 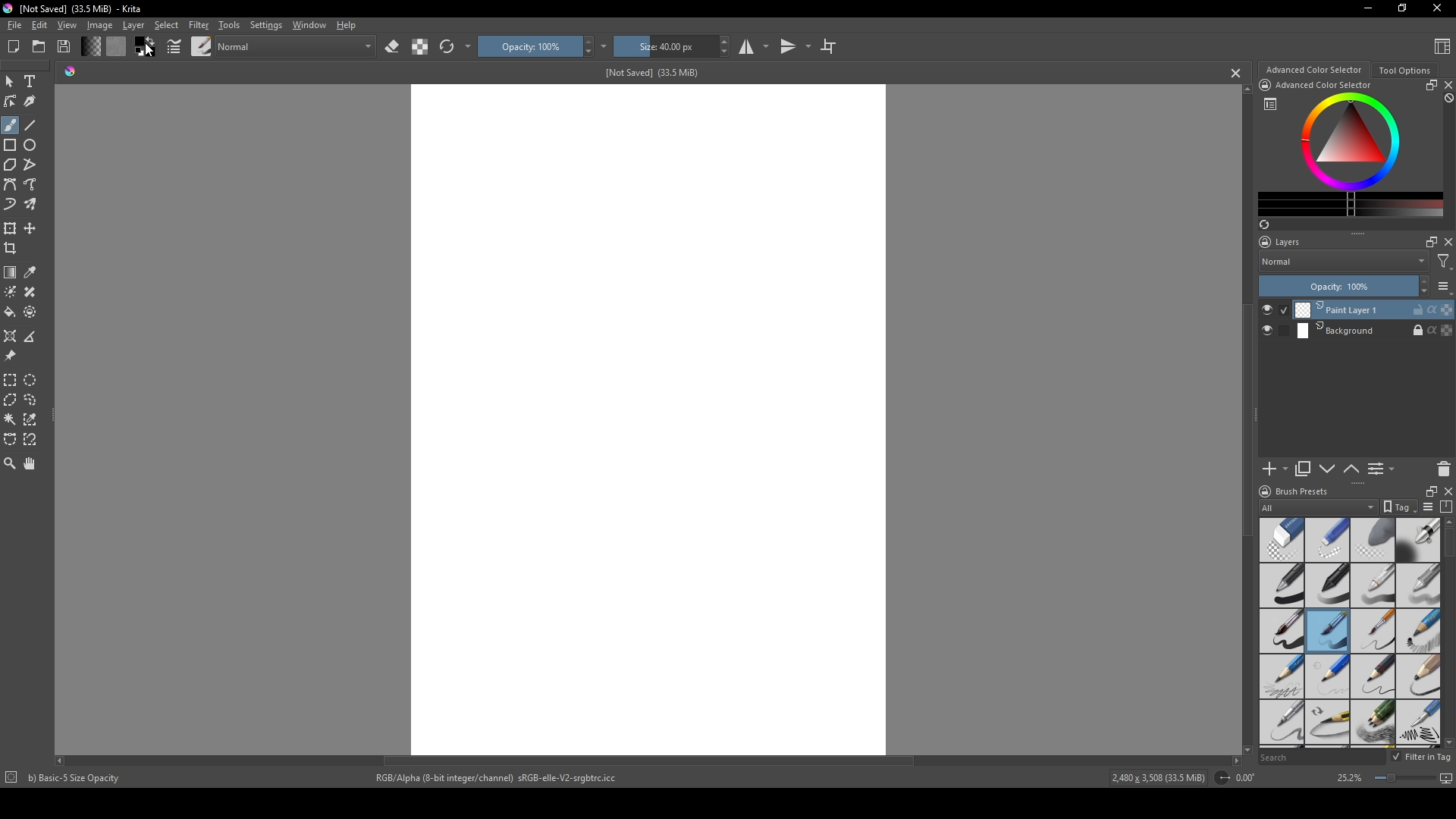 What do you see at coordinates (1447, 522) in the screenshot?
I see `scroll up` at bounding box center [1447, 522].